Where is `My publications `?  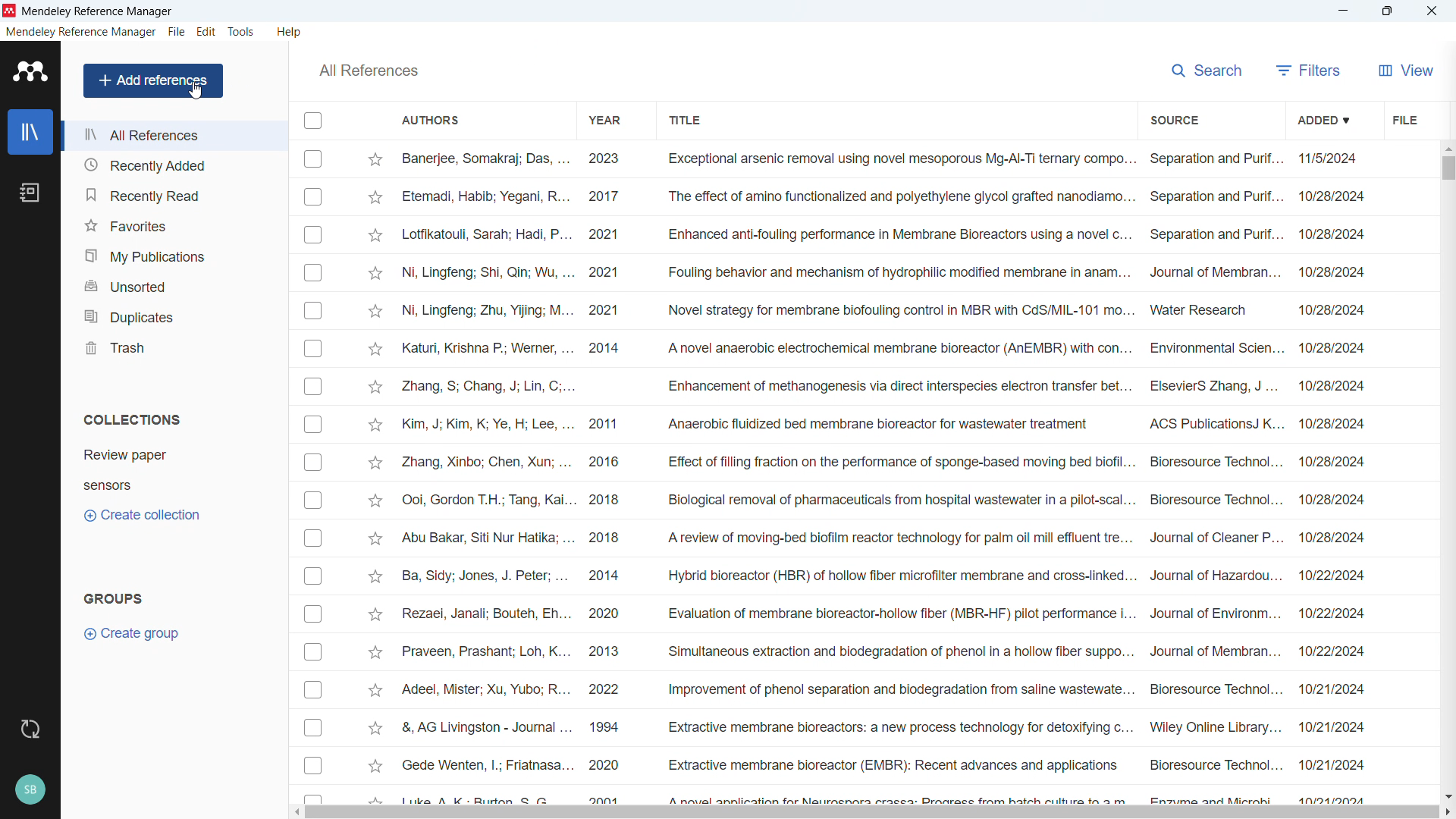
My publications  is located at coordinates (172, 256).